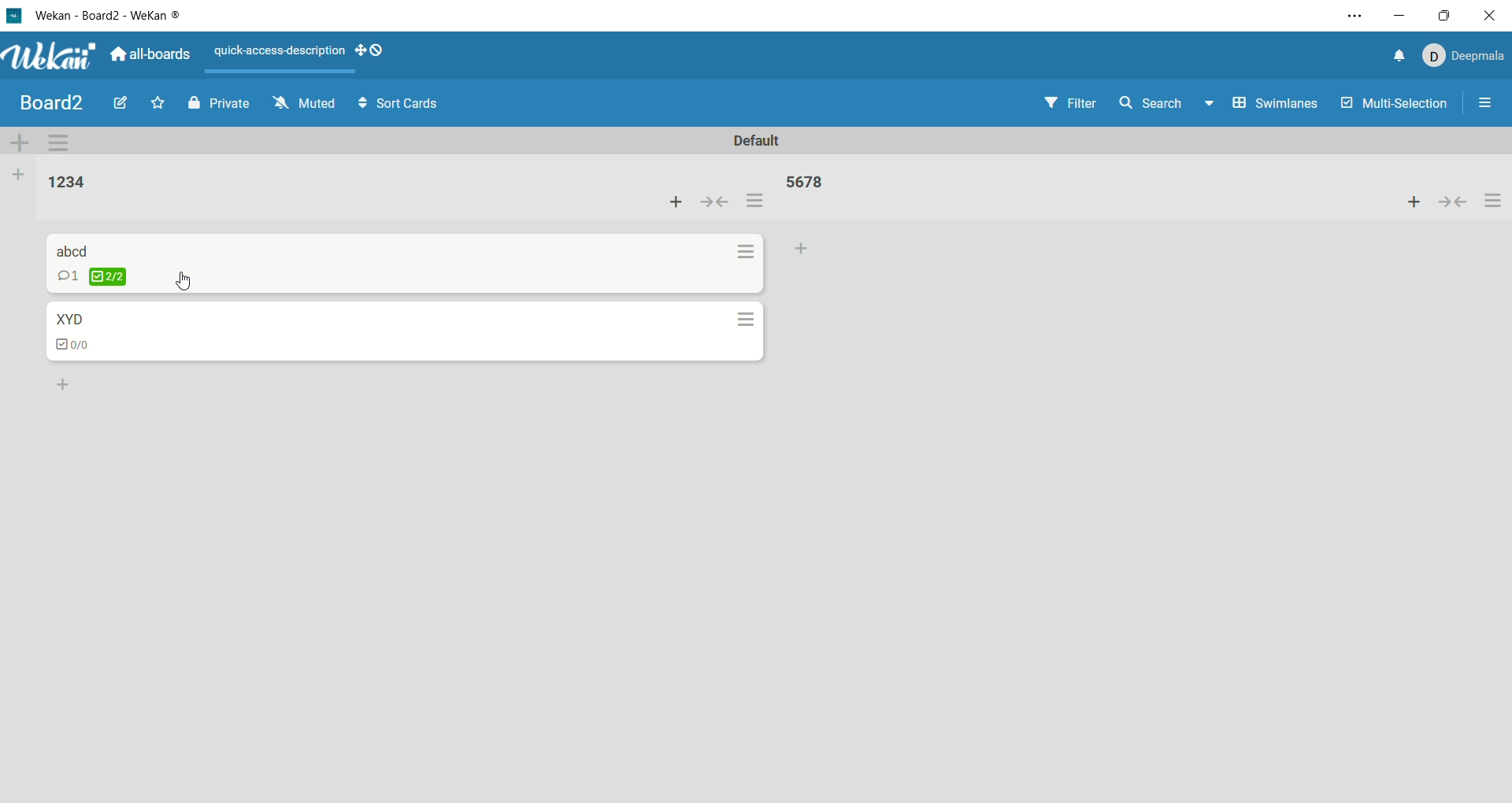  What do you see at coordinates (120, 101) in the screenshot?
I see `edit` at bounding box center [120, 101].